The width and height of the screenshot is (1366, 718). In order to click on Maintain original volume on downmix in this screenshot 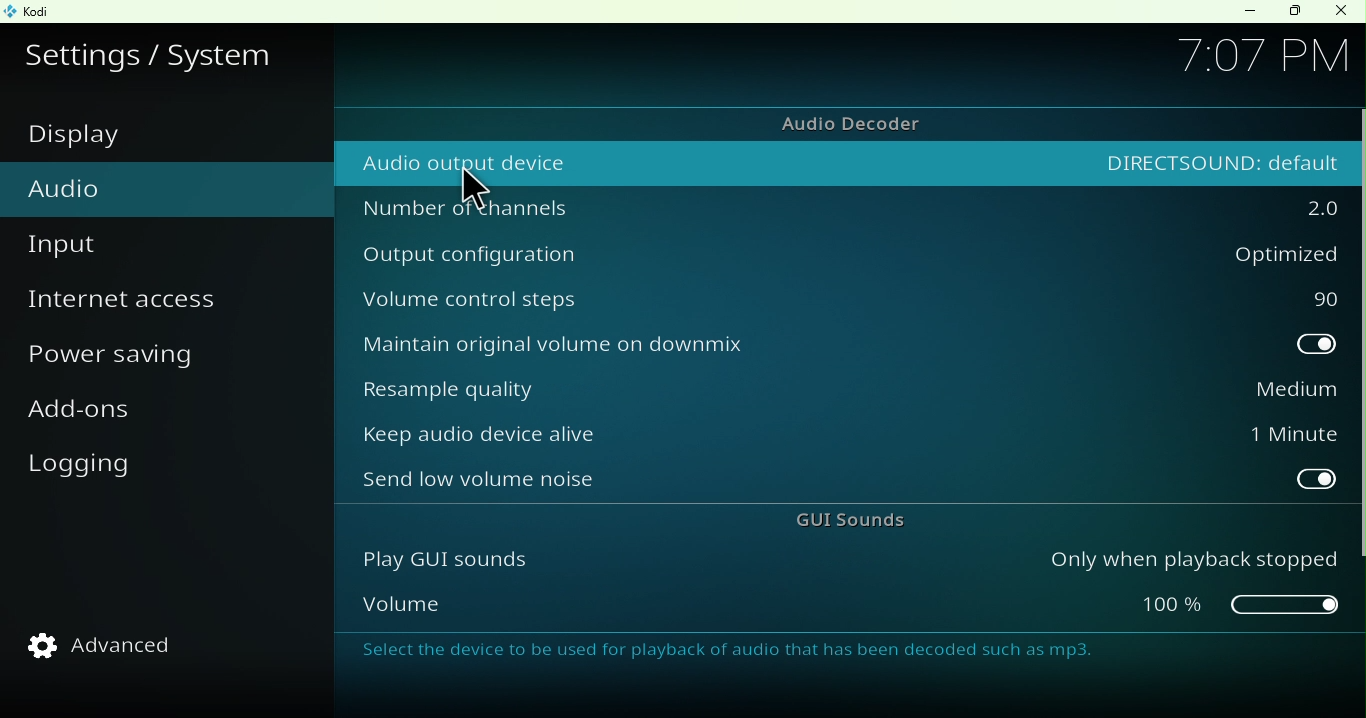, I will do `click(718, 346)`.